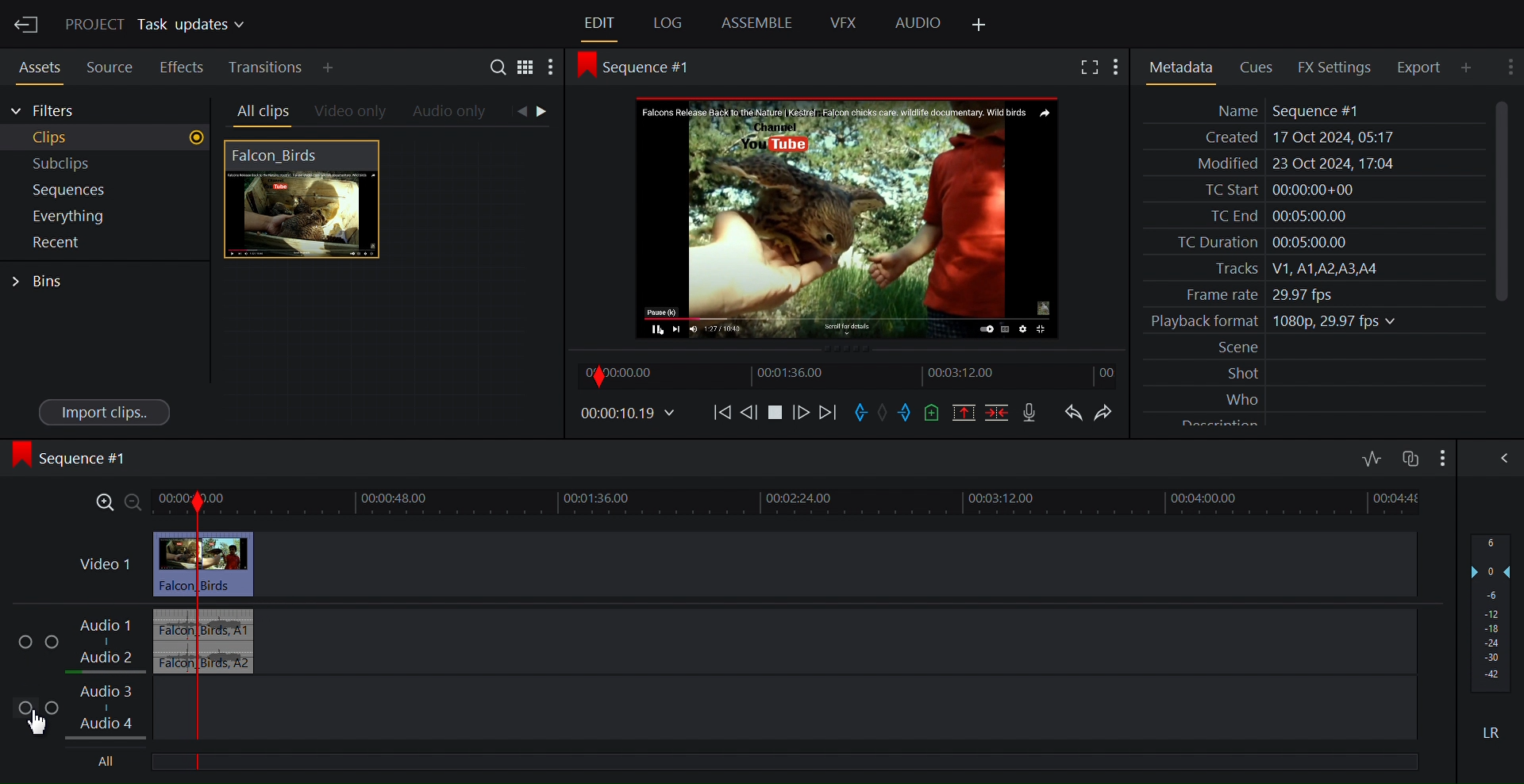 The width and height of the screenshot is (1524, 784). Describe the element at coordinates (1409, 459) in the screenshot. I see `Toggle audio track sync` at that location.